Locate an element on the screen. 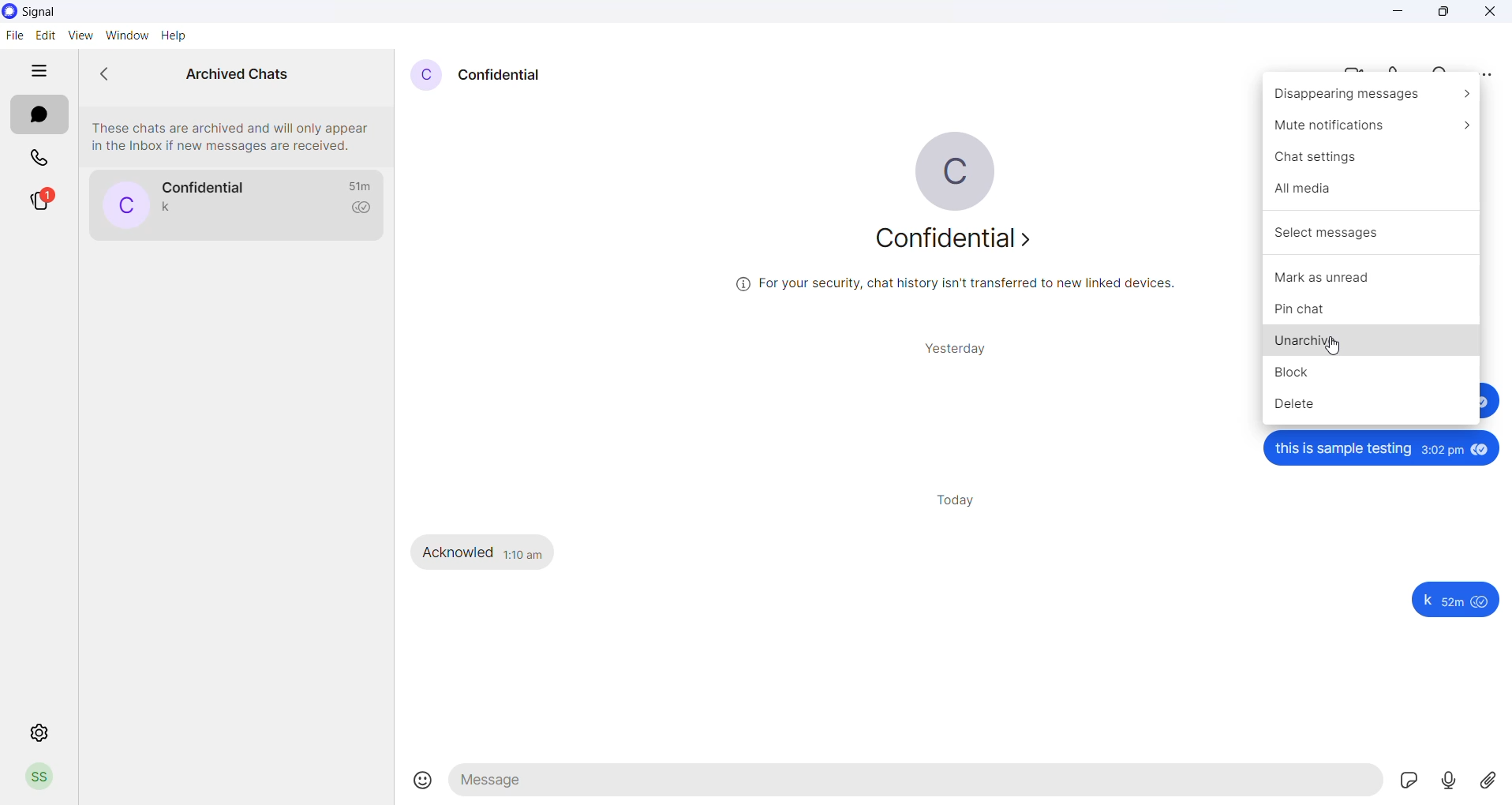 The width and height of the screenshot is (1512, 805). archived chats information is located at coordinates (232, 133).